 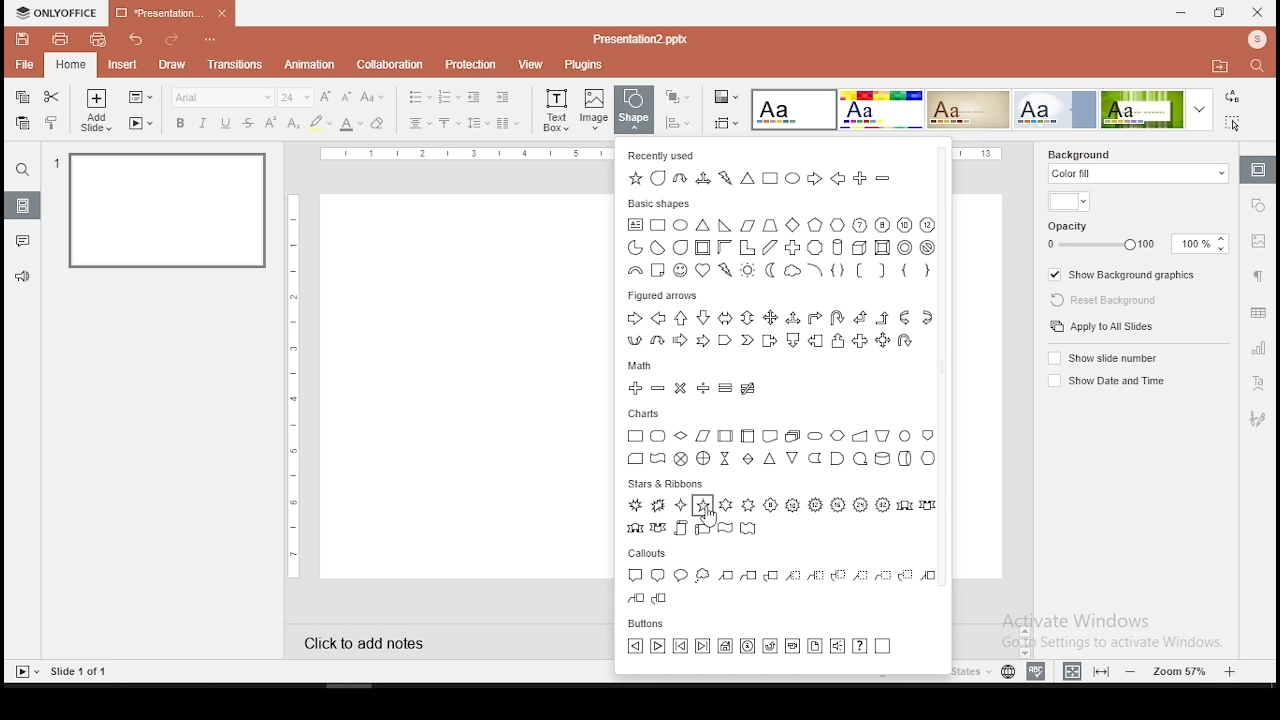 What do you see at coordinates (58, 39) in the screenshot?
I see `print file` at bounding box center [58, 39].